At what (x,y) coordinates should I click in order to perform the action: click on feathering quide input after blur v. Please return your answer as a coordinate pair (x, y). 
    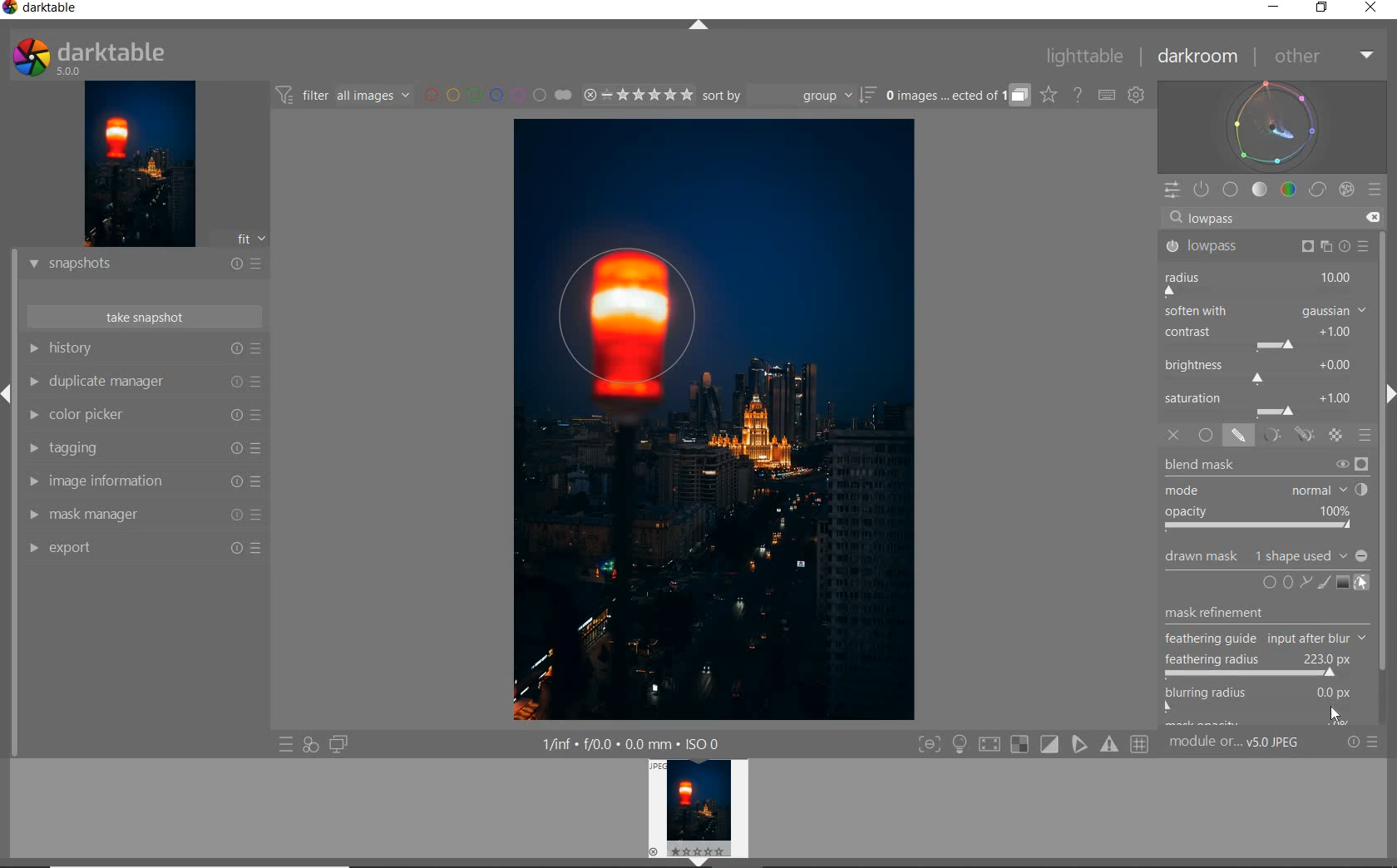
    Looking at the image, I should click on (1258, 639).